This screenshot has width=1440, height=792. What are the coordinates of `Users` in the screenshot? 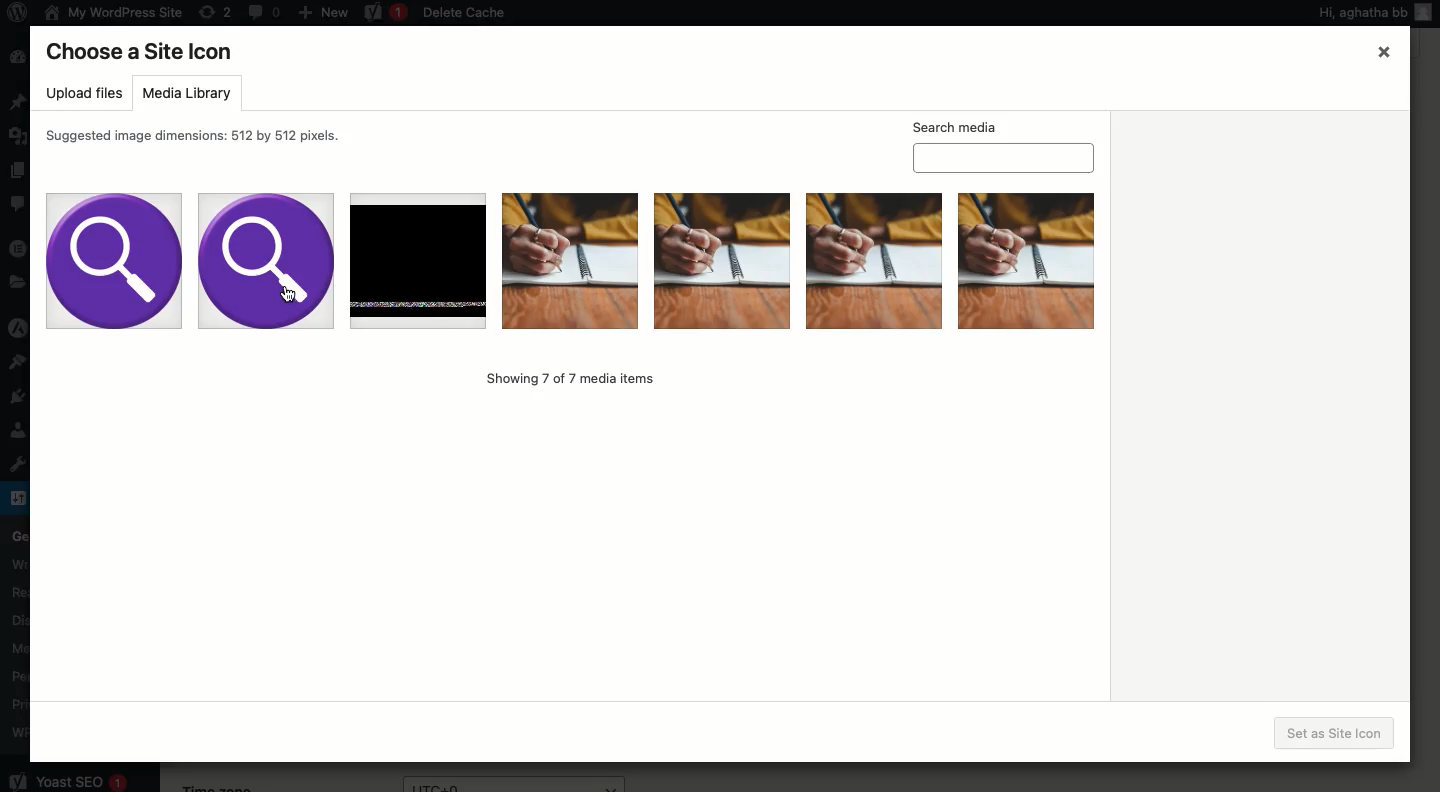 It's located at (16, 433).